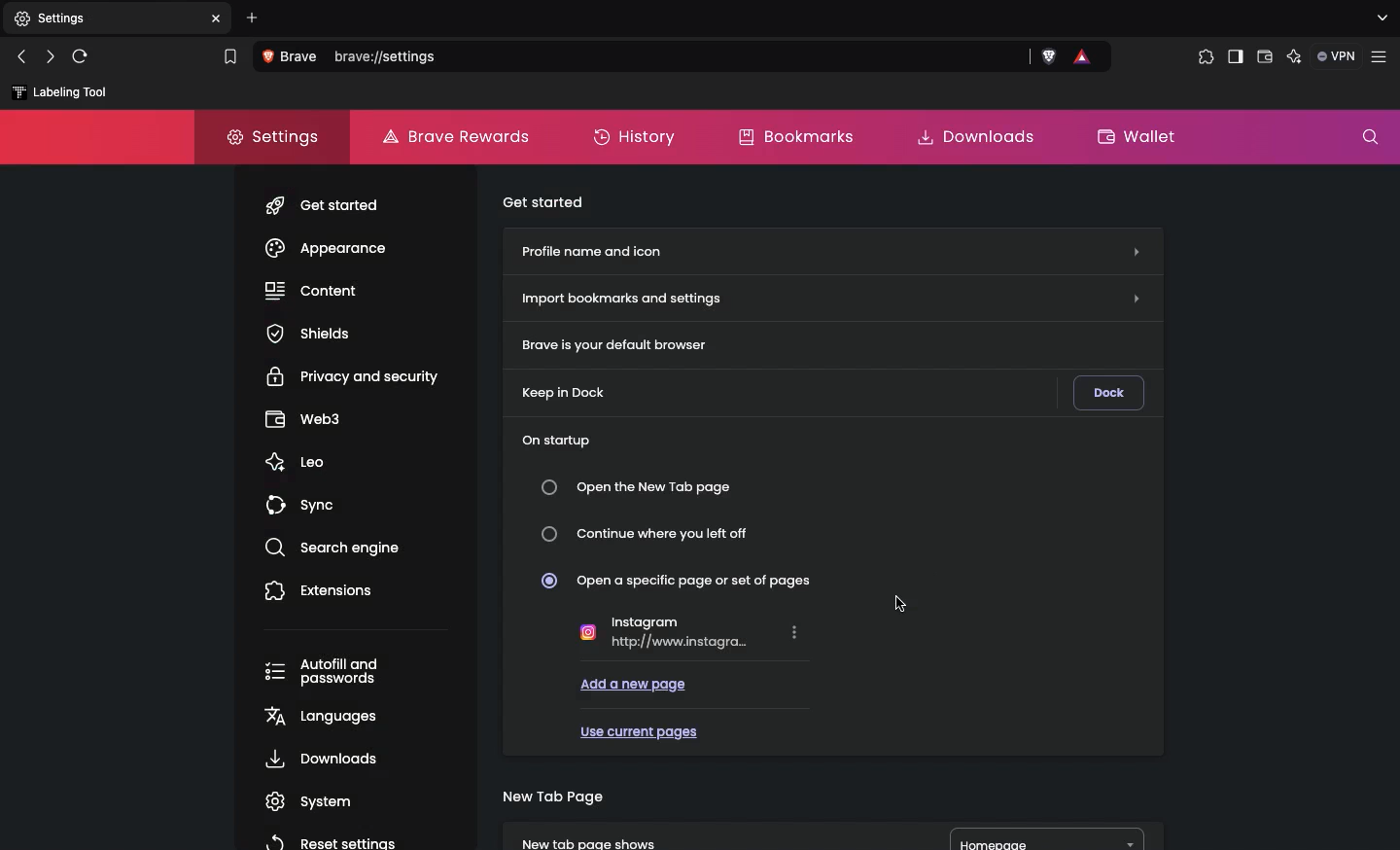 The height and width of the screenshot is (850, 1400). What do you see at coordinates (308, 333) in the screenshot?
I see `Shields` at bounding box center [308, 333].